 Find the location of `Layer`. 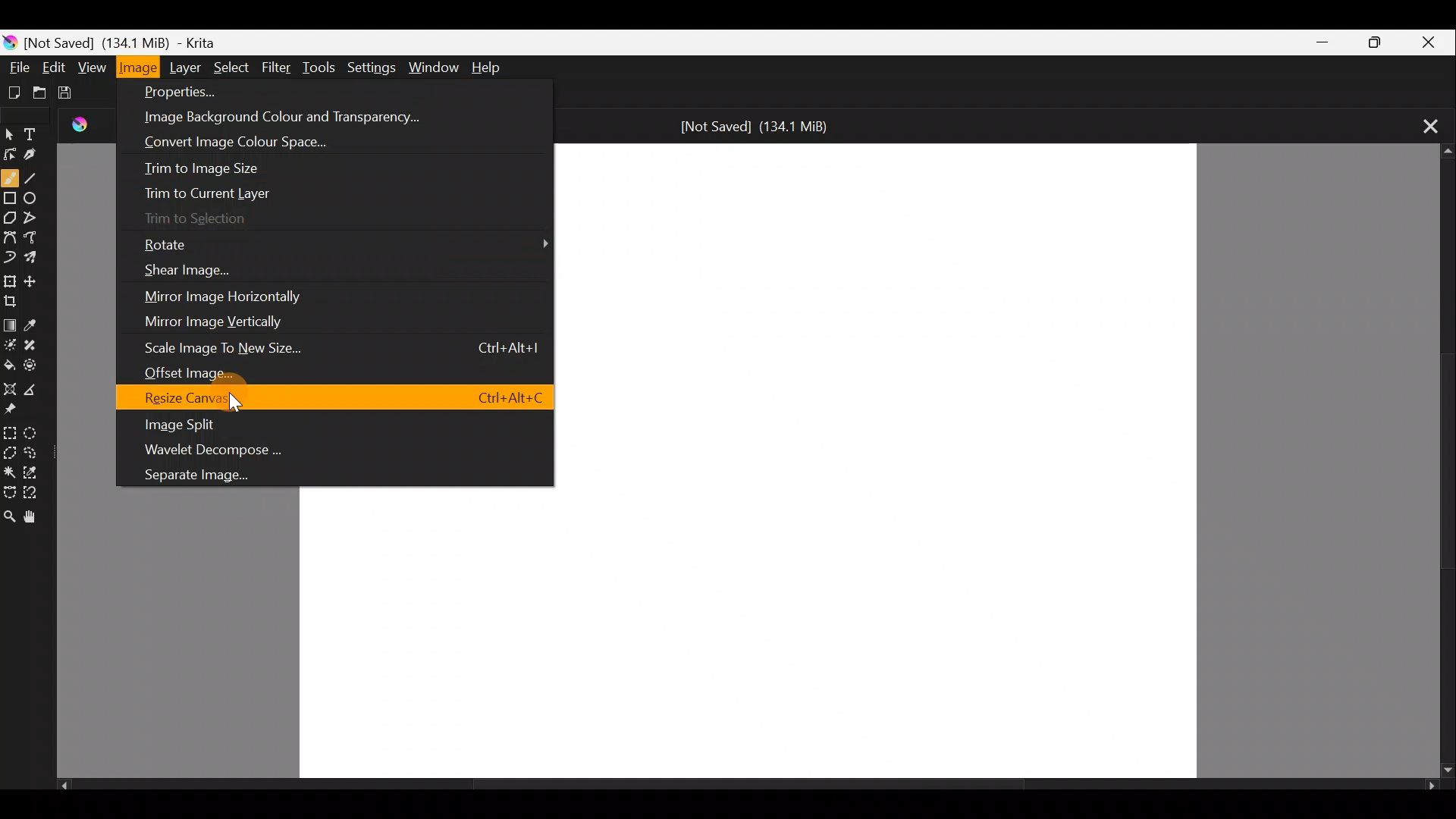

Layer is located at coordinates (187, 67).